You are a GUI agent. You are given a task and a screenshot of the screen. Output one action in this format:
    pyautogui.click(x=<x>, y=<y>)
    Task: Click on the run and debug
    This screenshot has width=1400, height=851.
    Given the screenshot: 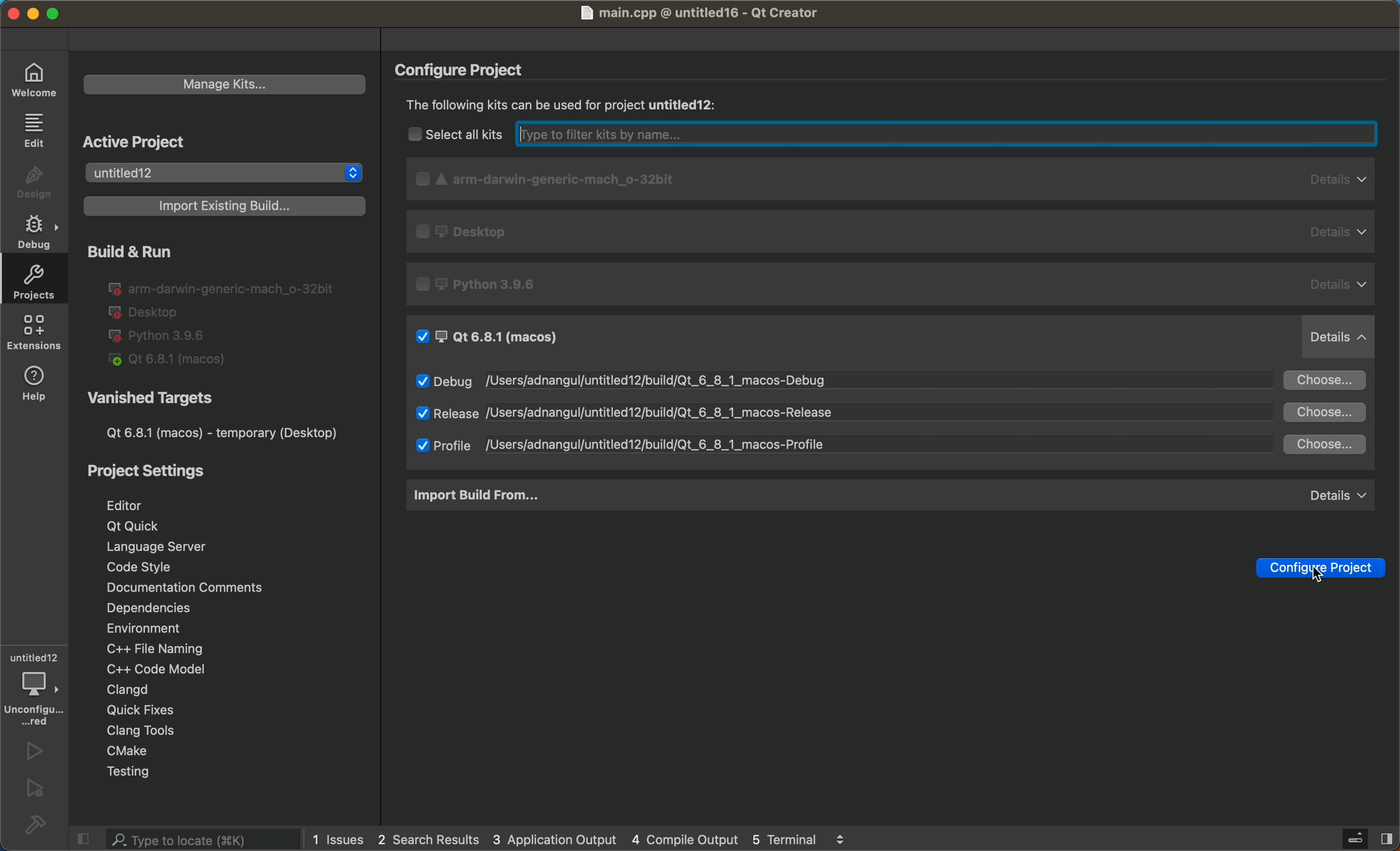 What is the action you would take?
    pyautogui.click(x=34, y=790)
    